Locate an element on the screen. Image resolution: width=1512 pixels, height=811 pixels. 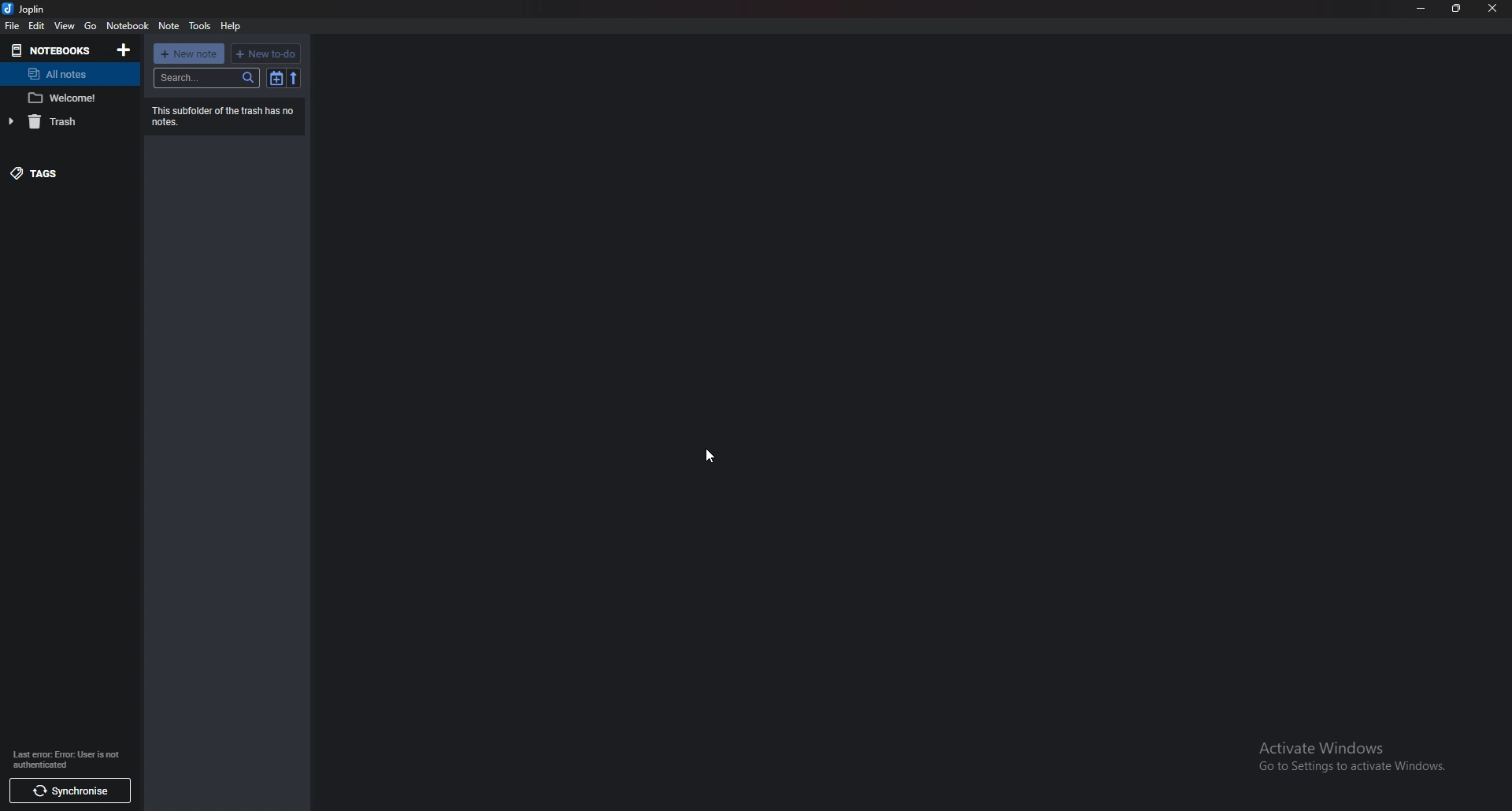
Add notebooks is located at coordinates (123, 50).